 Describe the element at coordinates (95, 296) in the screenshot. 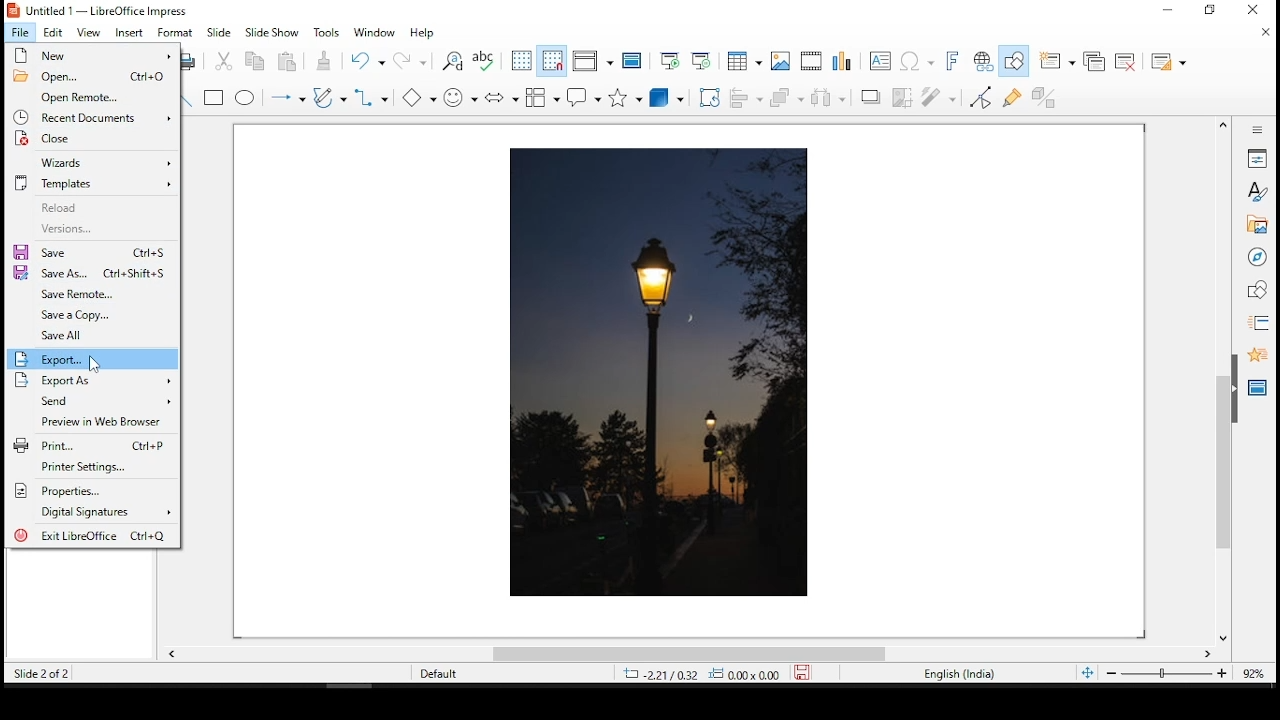

I see `save remote` at that location.